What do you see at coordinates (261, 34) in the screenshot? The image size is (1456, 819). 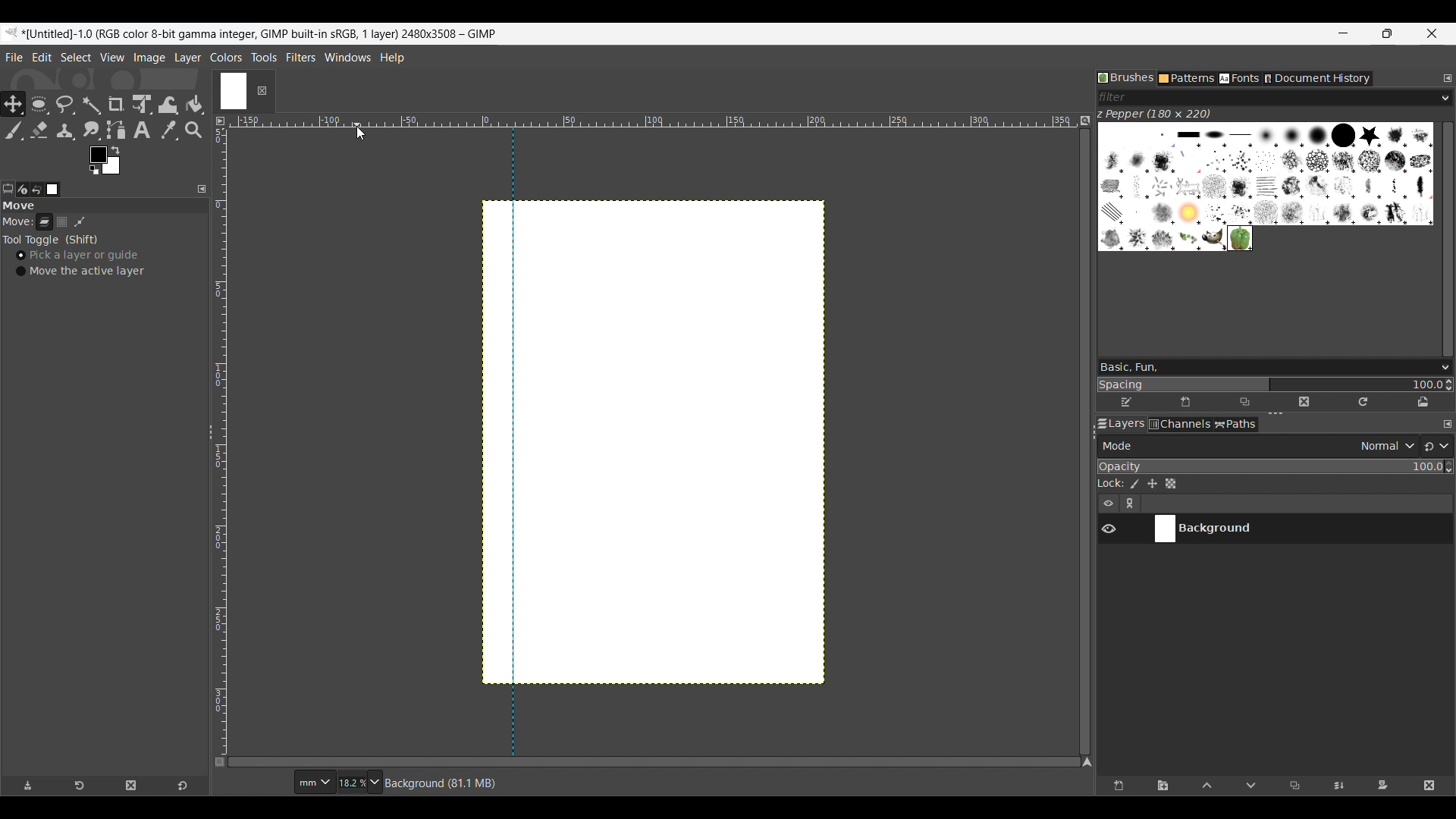 I see `Project name, details and software name` at bounding box center [261, 34].